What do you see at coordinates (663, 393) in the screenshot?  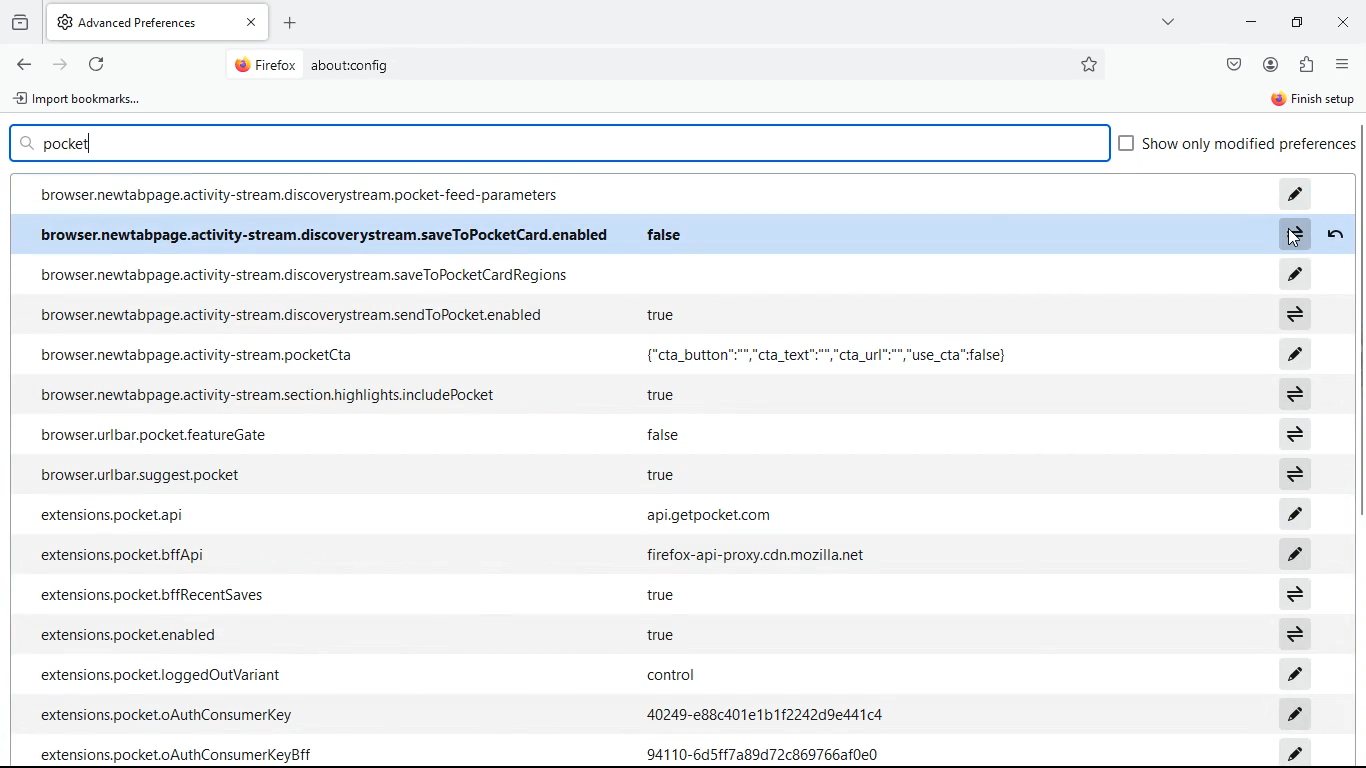 I see `true` at bounding box center [663, 393].